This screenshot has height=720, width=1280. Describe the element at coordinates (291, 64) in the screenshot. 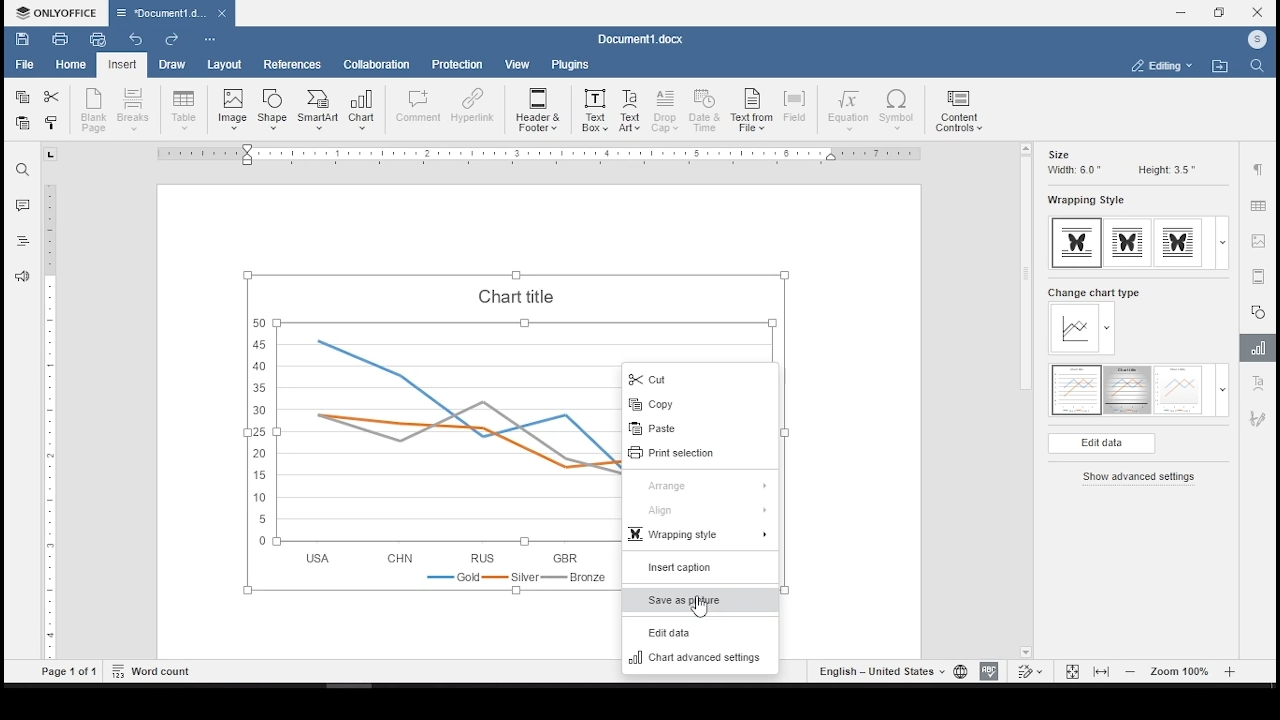

I see `references` at that location.